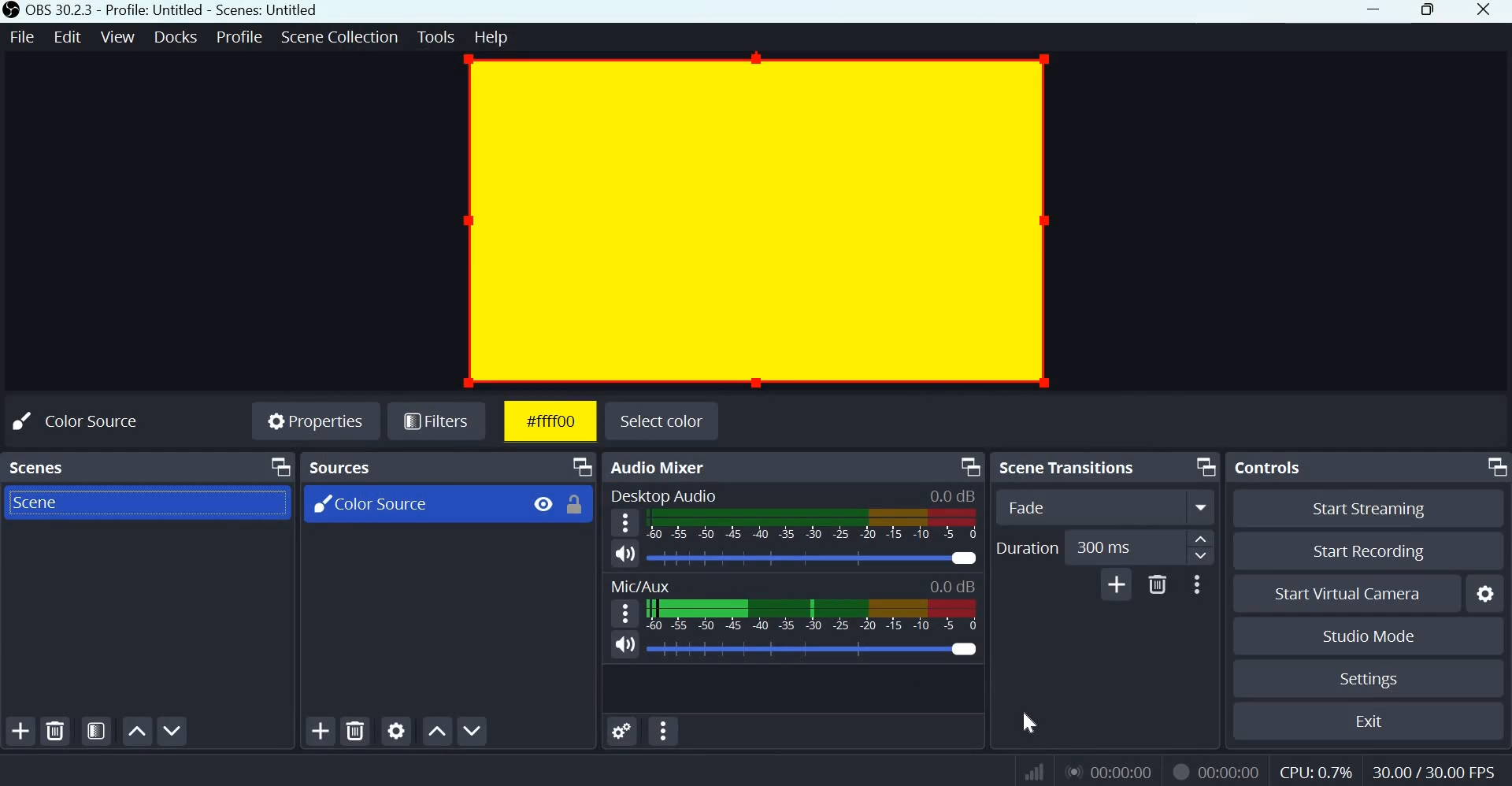 The image size is (1512, 786). What do you see at coordinates (11, 11) in the screenshot?
I see `OBS studio logo` at bounding box center [11, 11].